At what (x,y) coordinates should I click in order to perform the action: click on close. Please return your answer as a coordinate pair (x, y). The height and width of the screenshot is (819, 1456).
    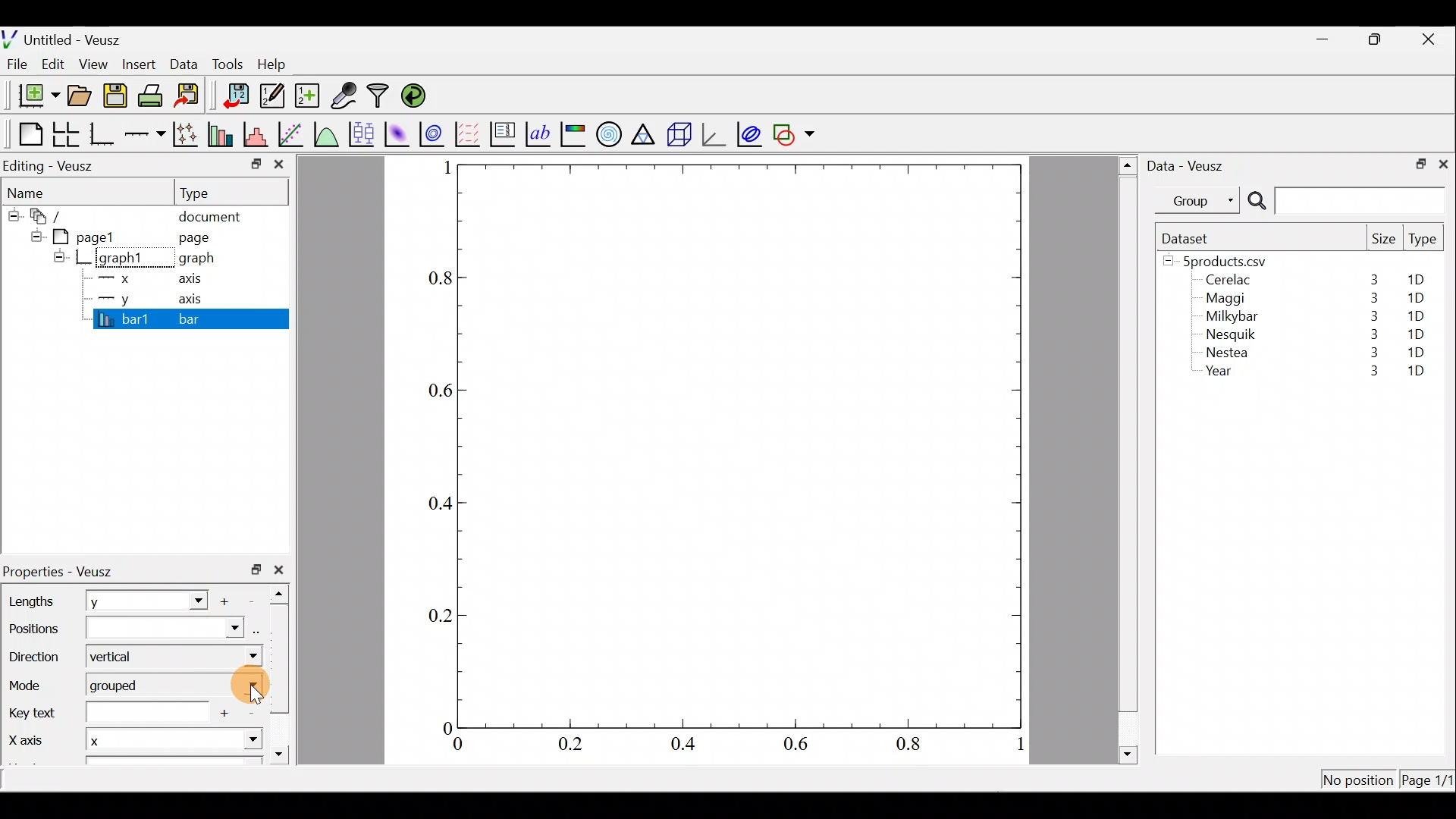
    Looking at the image, I should click on (282, 570).